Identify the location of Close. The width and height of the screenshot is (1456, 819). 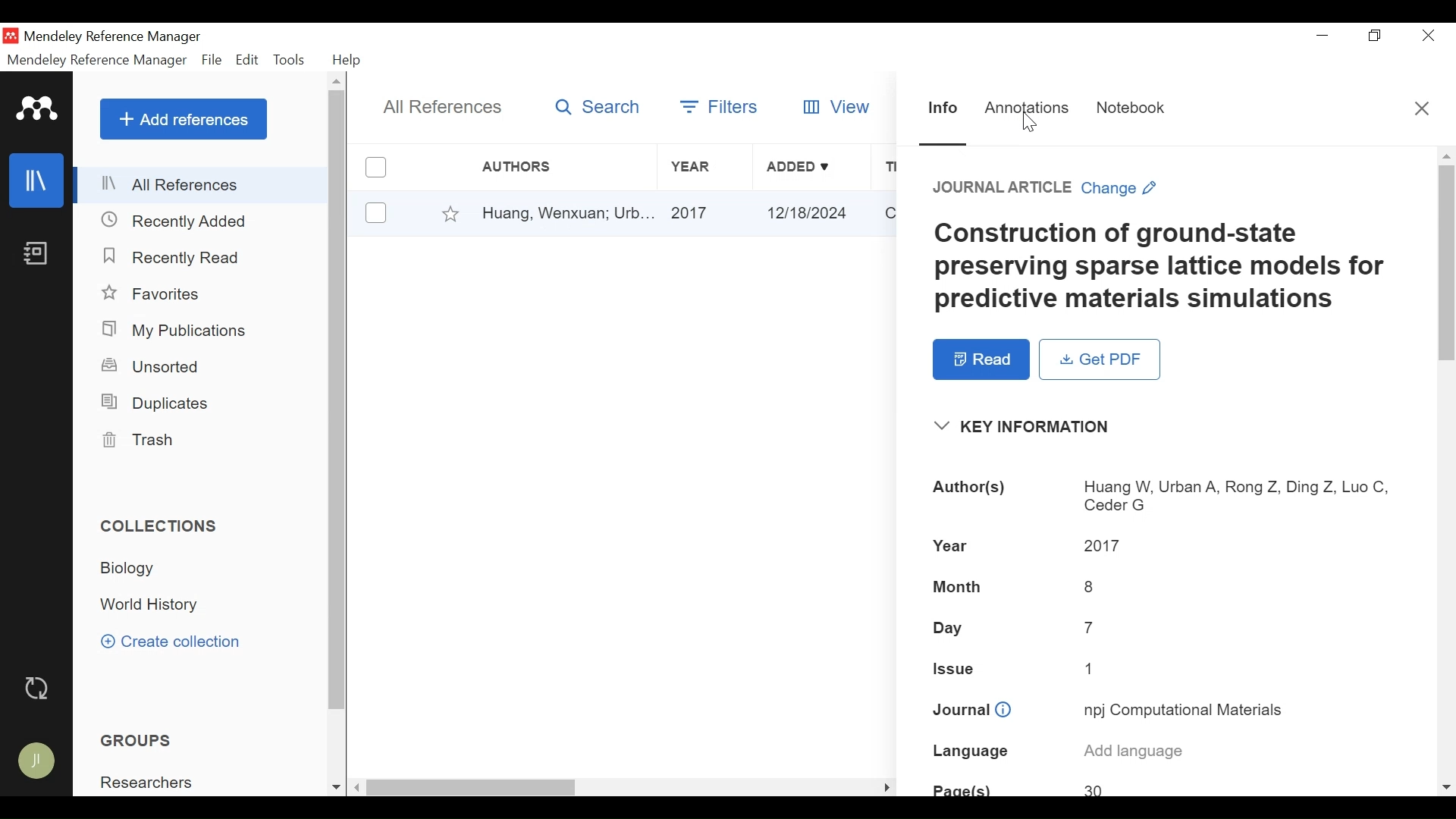
(1420, 107).